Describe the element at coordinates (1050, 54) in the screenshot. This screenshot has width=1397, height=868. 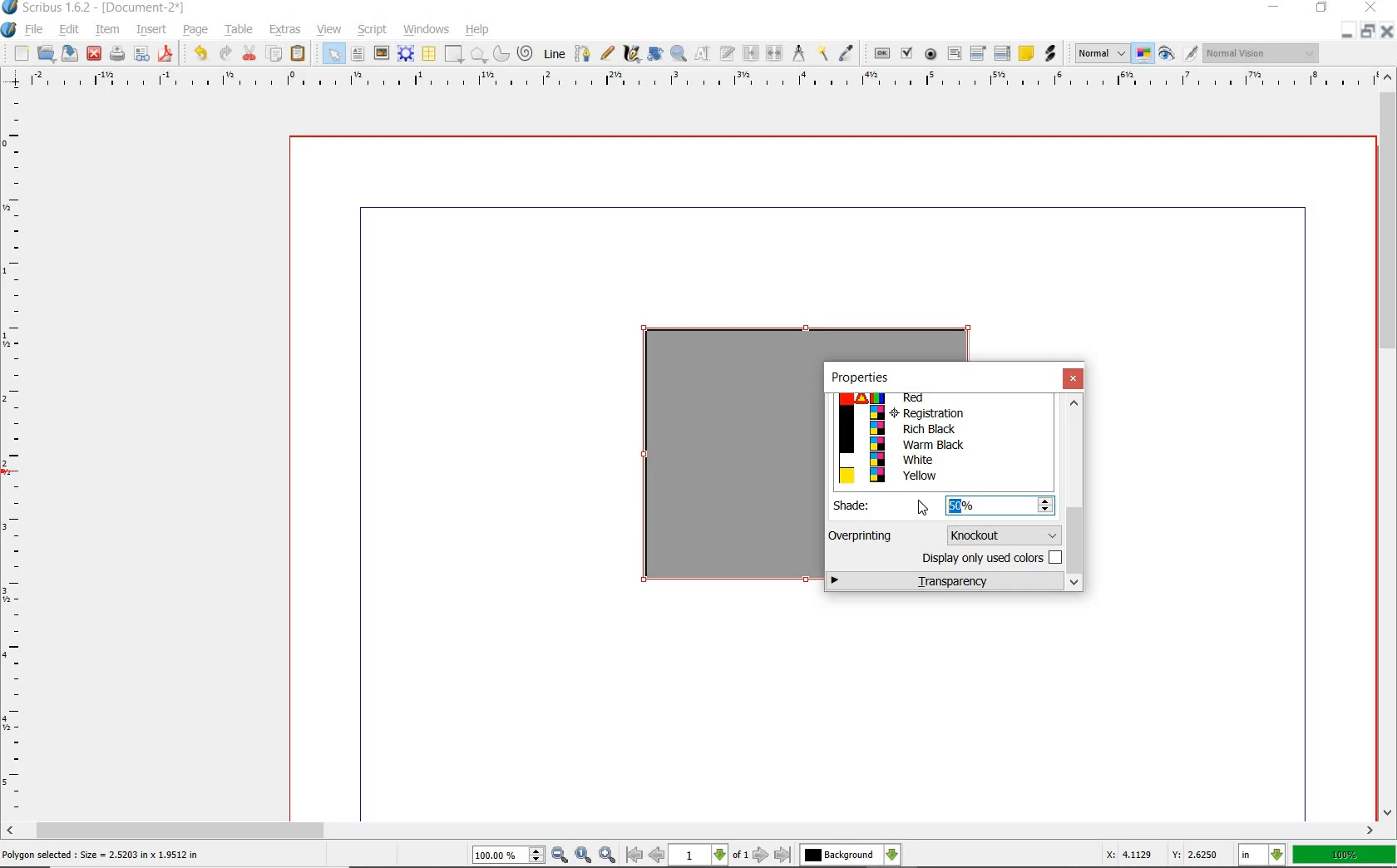
I see `link annotation` at that location.